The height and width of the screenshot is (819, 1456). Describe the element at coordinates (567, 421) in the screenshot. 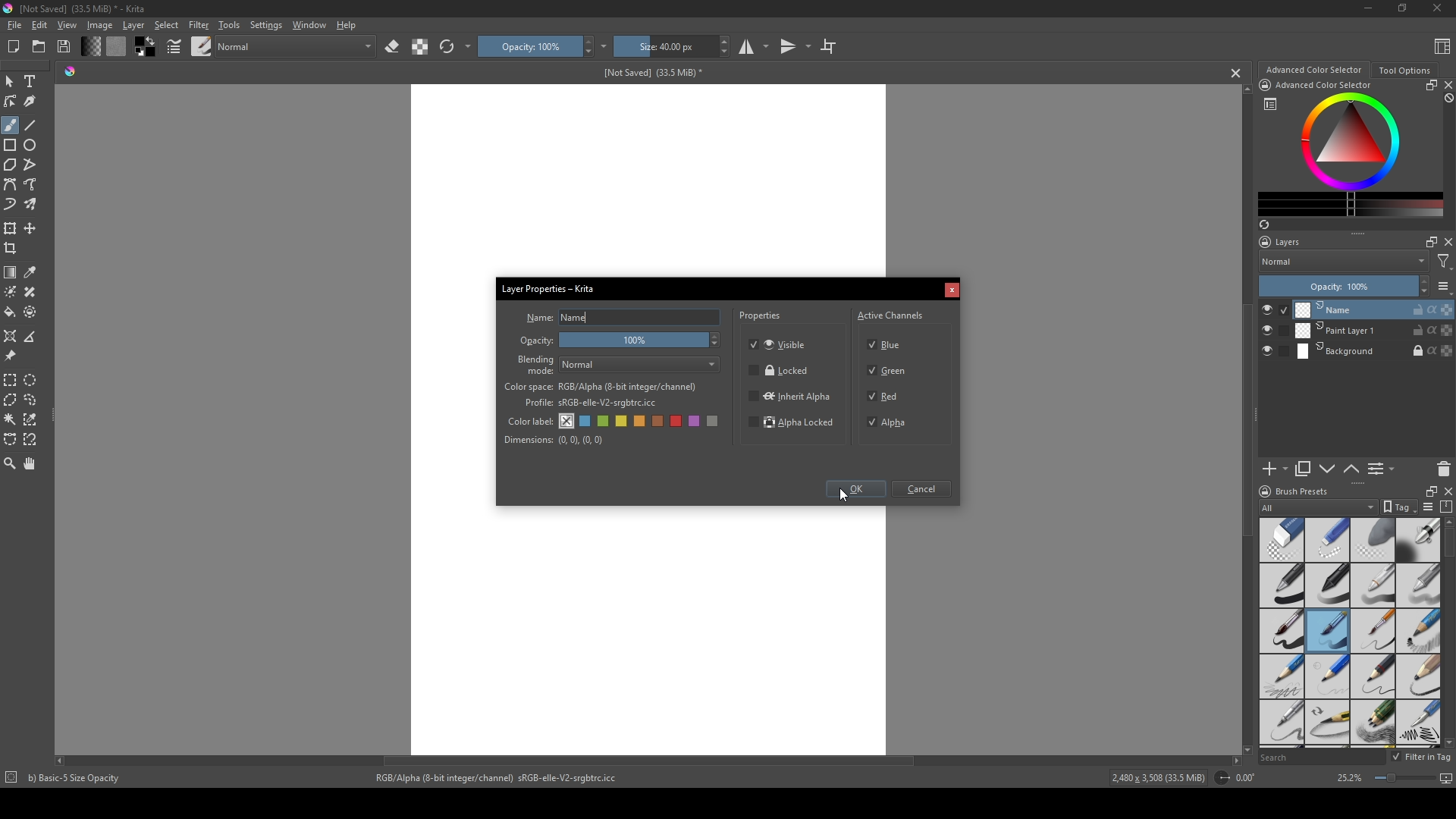

I see `no color` at that location.